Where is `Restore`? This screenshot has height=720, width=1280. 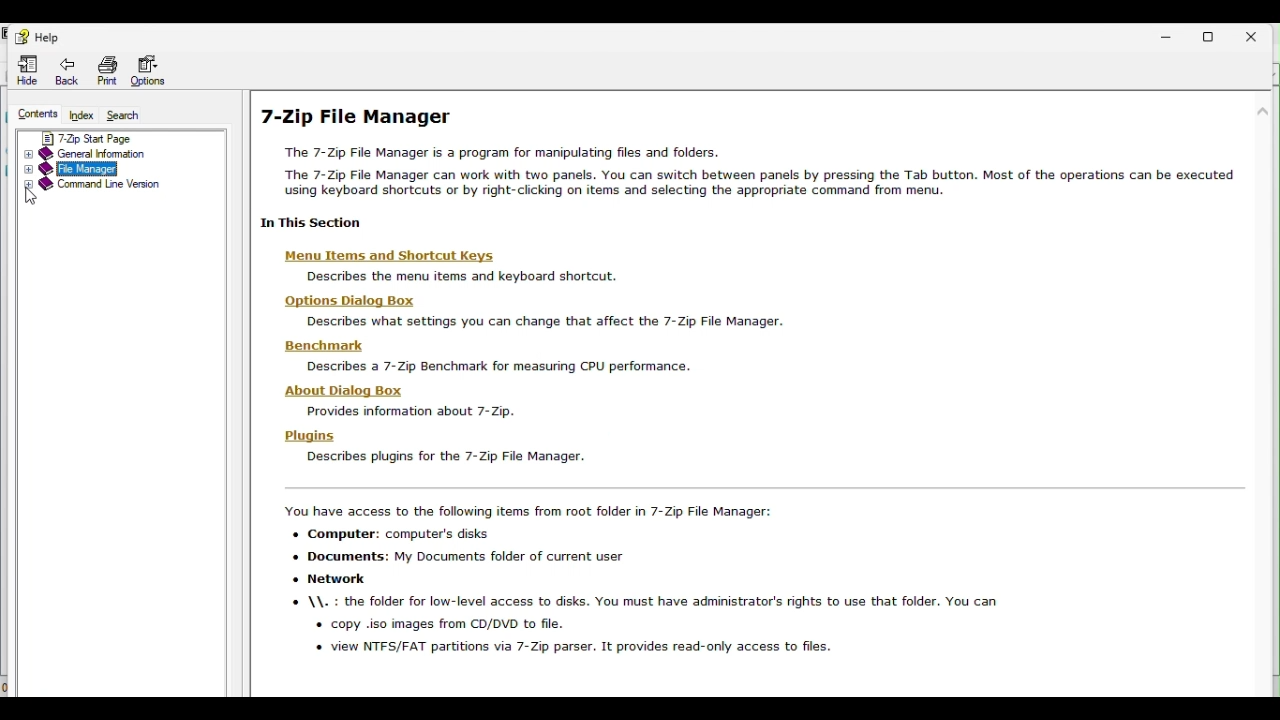
Restore is located at coordinates (1211, 37).